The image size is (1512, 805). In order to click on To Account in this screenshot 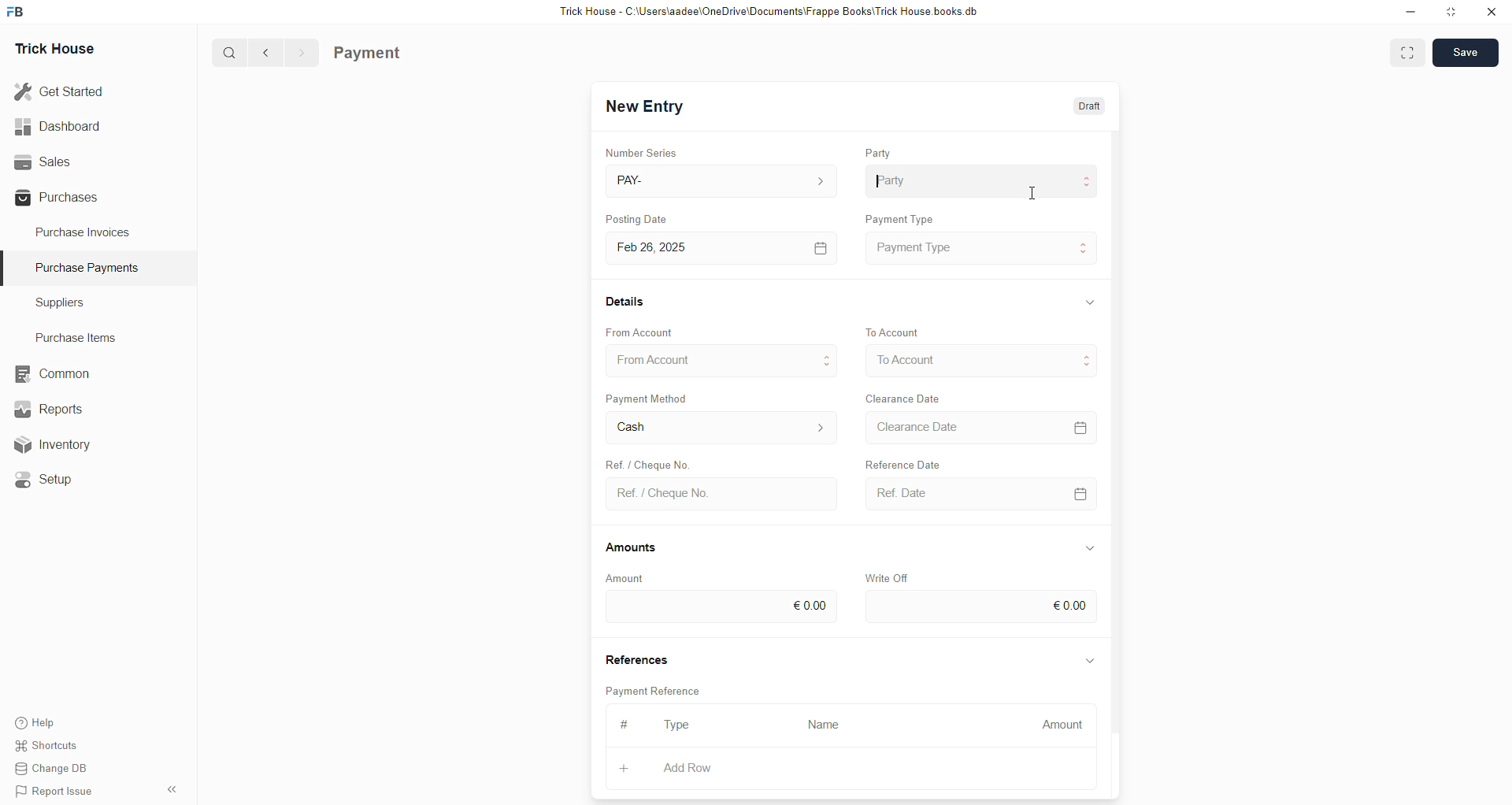, I will do `click(894, 330)`.